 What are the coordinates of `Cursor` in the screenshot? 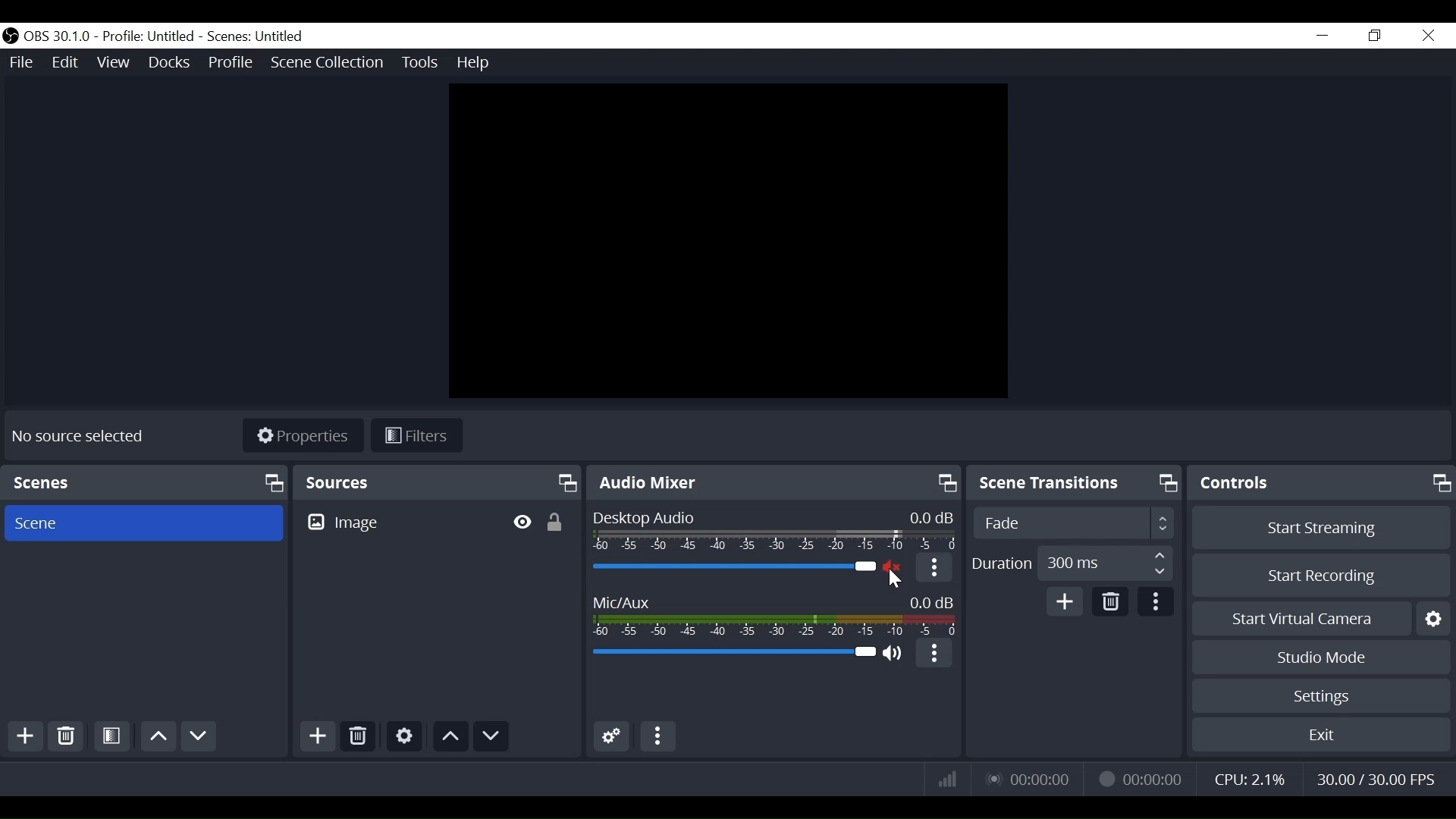 It's located at (902, 582).